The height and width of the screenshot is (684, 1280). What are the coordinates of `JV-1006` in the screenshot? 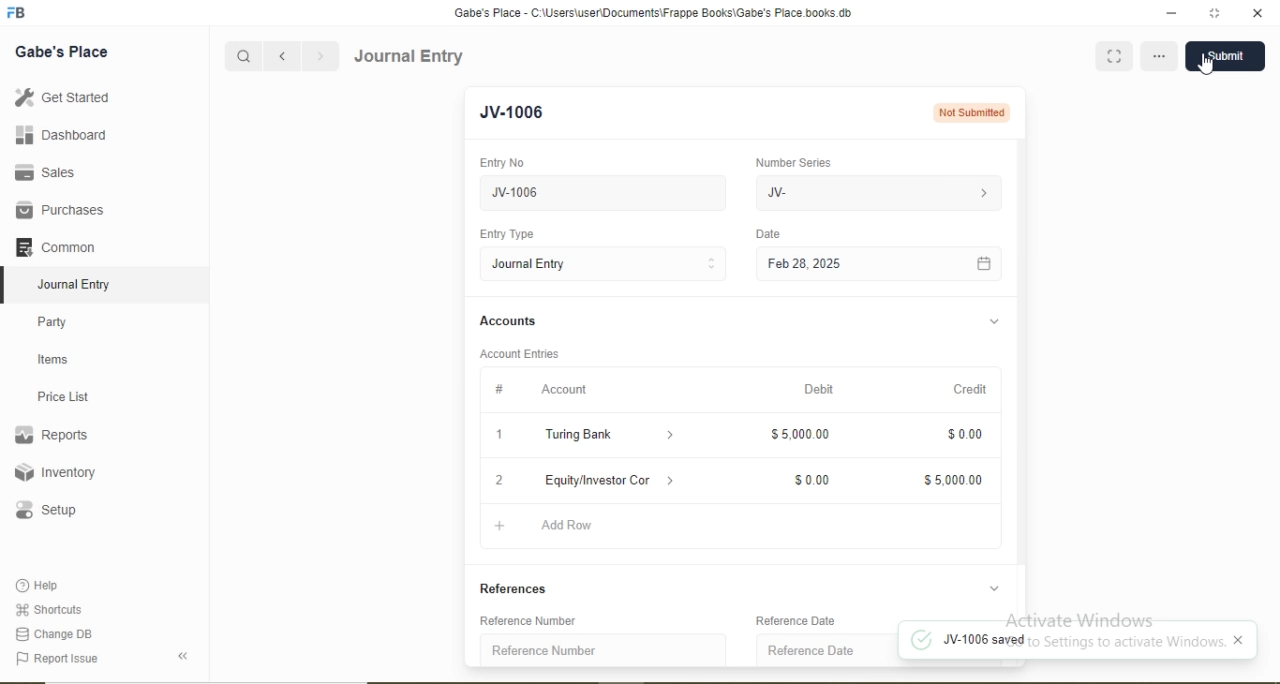 It's located at (520, 113).